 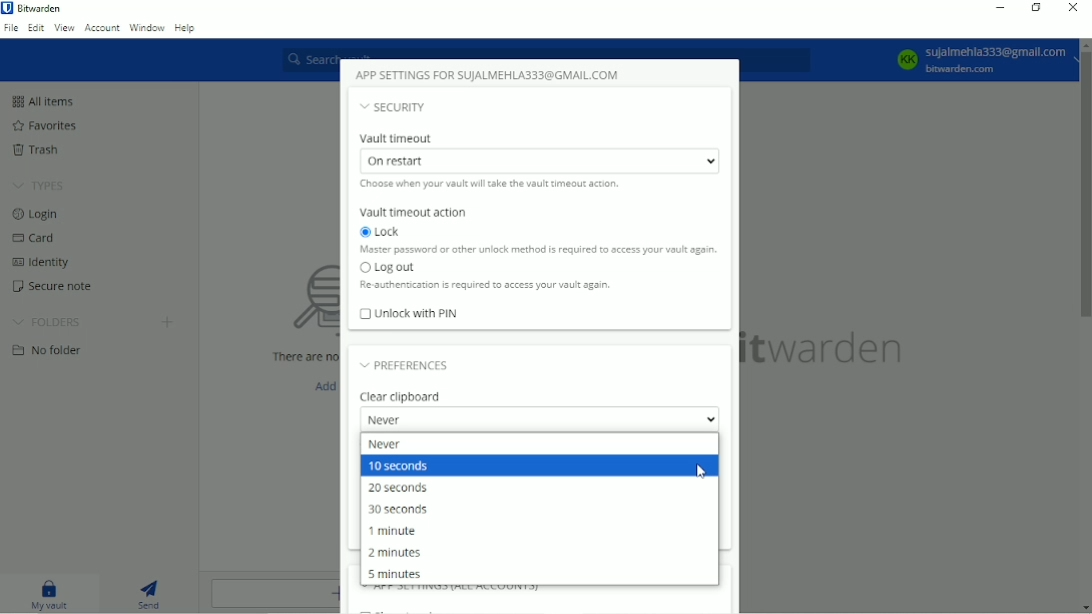 What do you see at coordinates (44, 263) in the screenshot?
I see `Identity` at bounding box center [44, 263].